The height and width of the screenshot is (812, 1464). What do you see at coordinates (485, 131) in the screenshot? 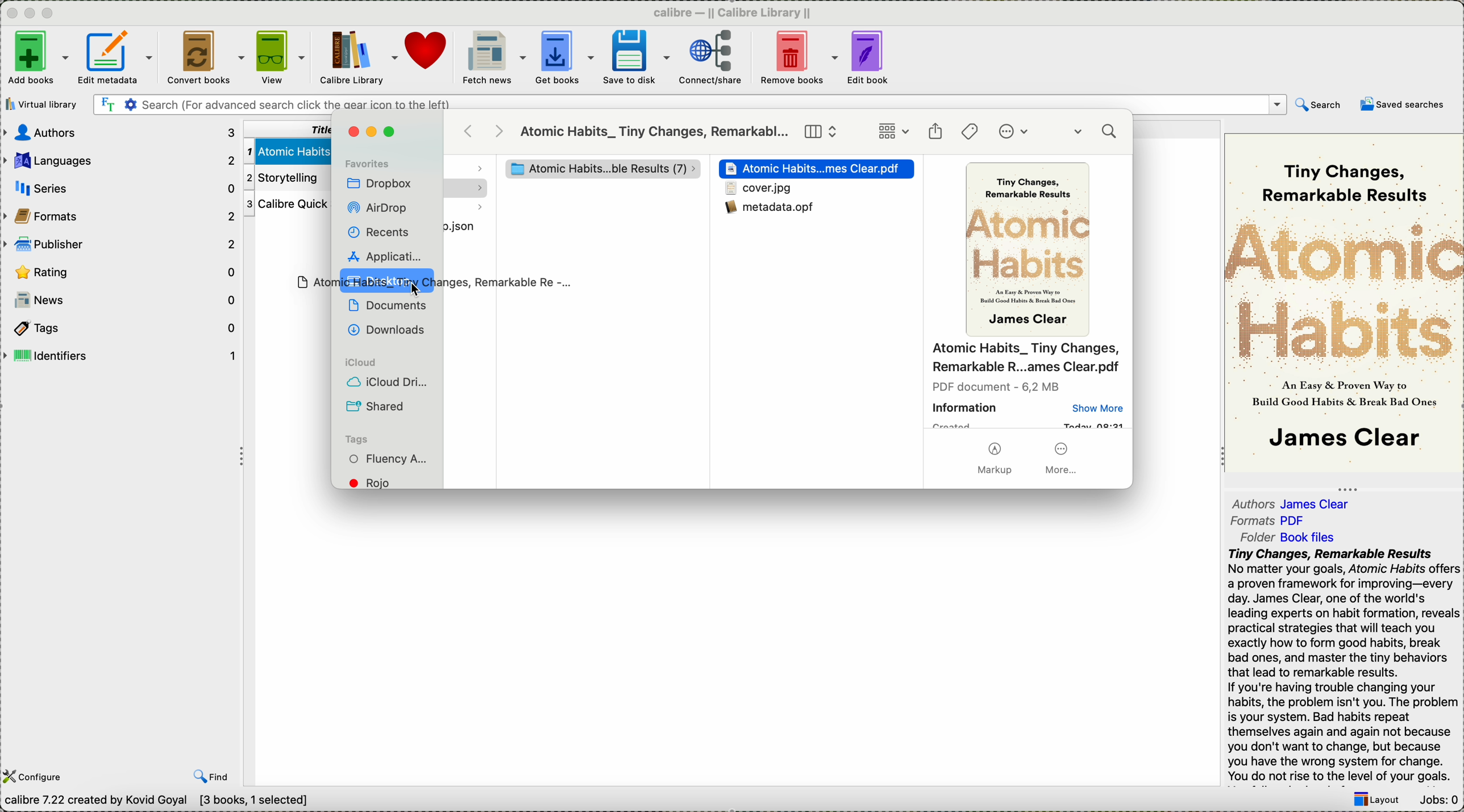
I see `navigate arrows` at bounding box center [485, 131].